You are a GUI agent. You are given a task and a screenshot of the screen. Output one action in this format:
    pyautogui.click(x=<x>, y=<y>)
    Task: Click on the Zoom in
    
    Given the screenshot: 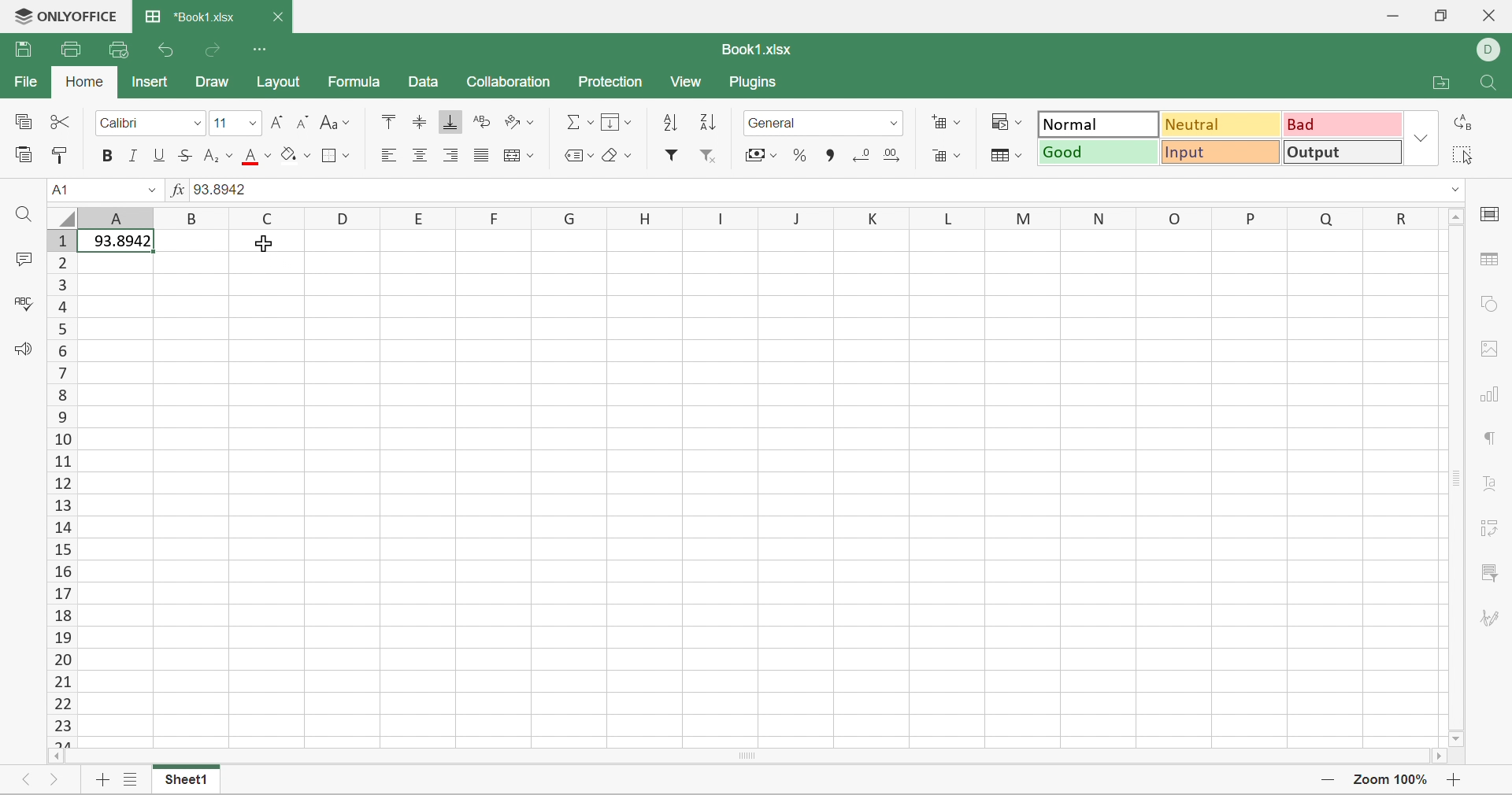 What is the action you would take?
    pyautogui.click(x=1454, y=780)
    